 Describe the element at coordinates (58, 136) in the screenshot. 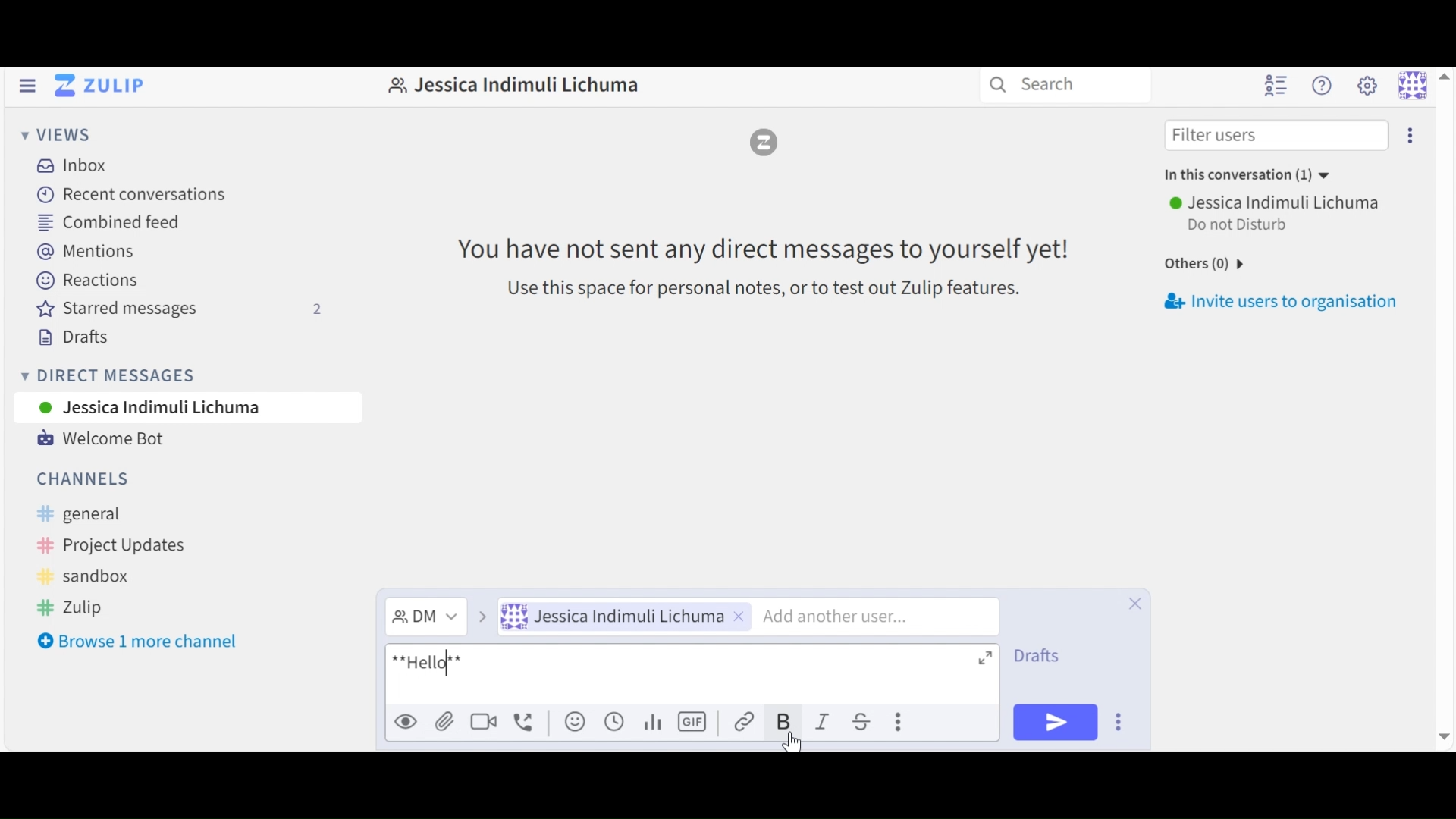

I see `Views` at that location.